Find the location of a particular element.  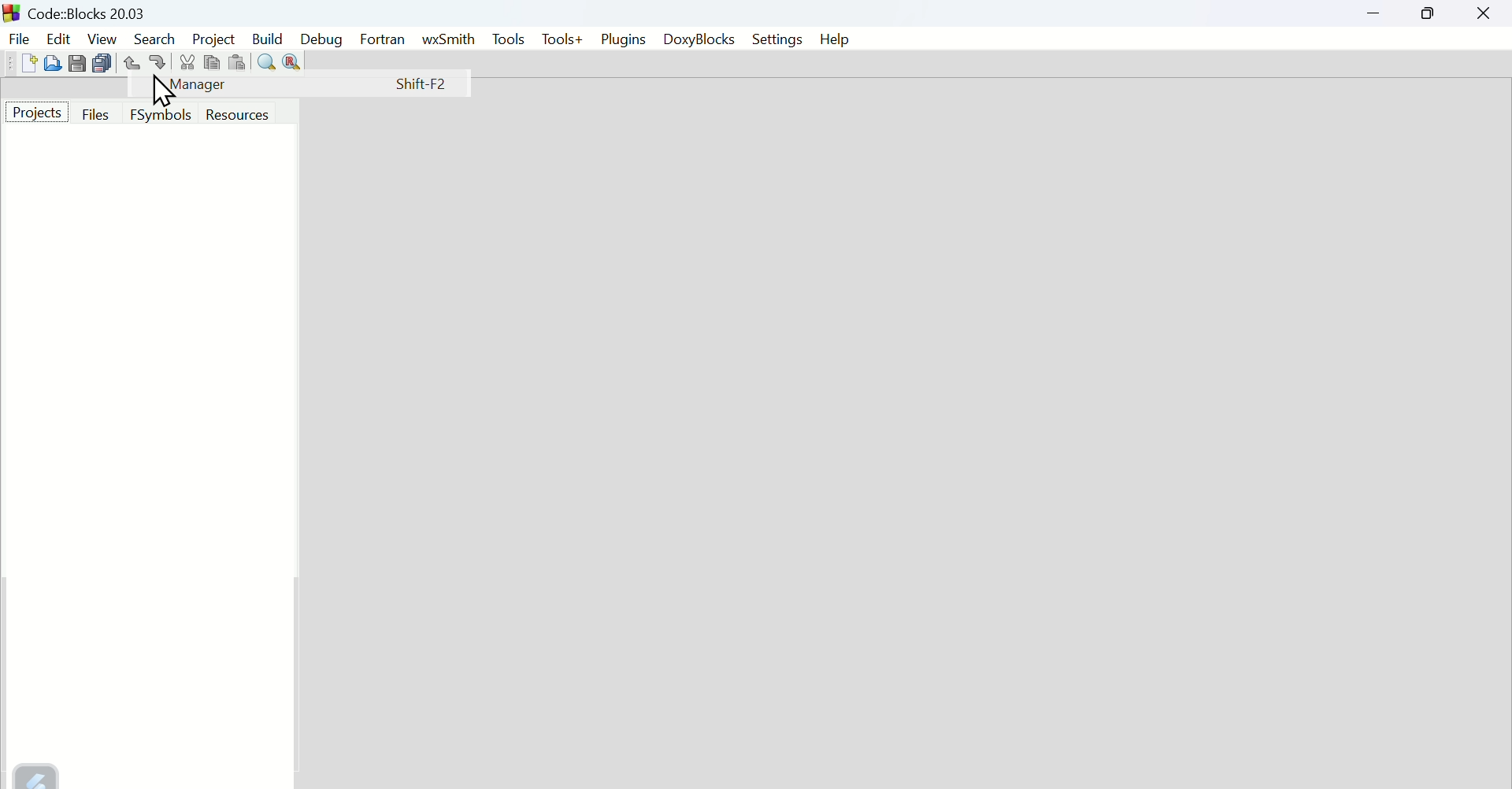

Save multiple file is located at coordinates (103, 62).